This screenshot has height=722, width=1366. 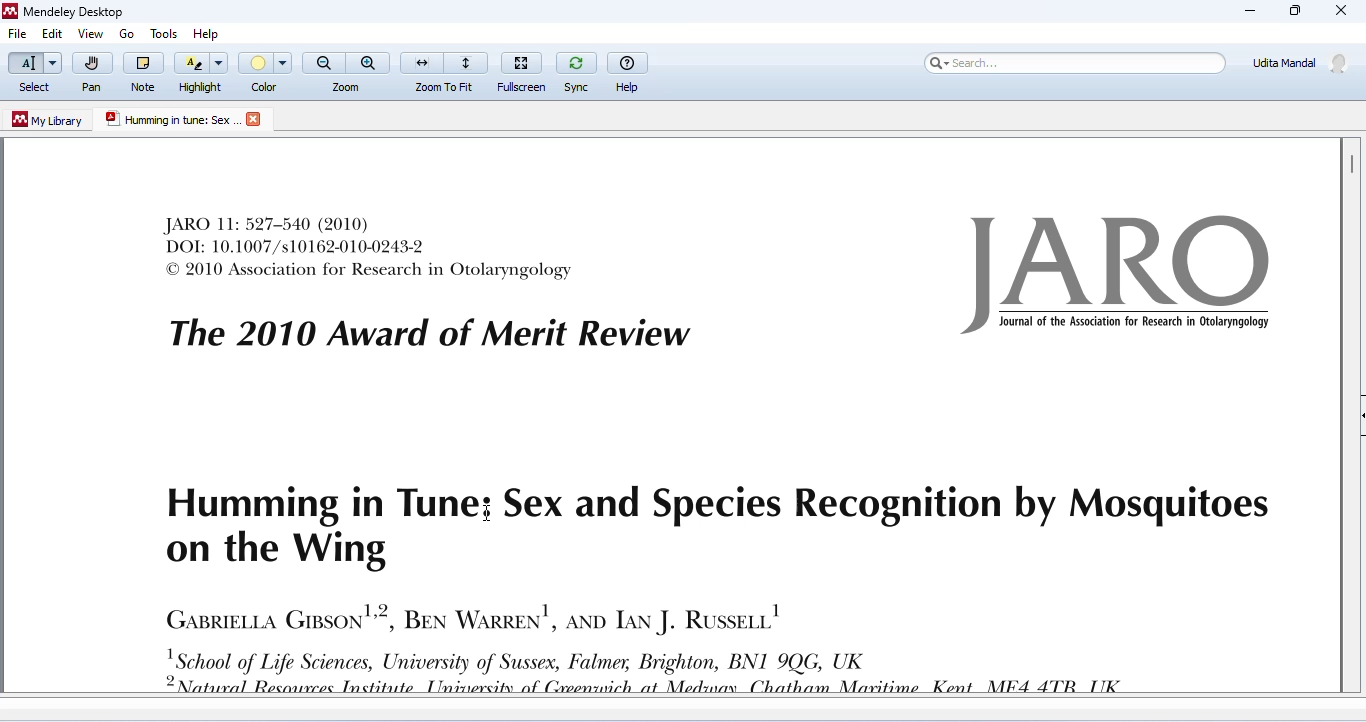 I want to click on tab name :Humming in tune: Sex and species recognition by mosquitoes on the wing, so click(x=171, y=120).